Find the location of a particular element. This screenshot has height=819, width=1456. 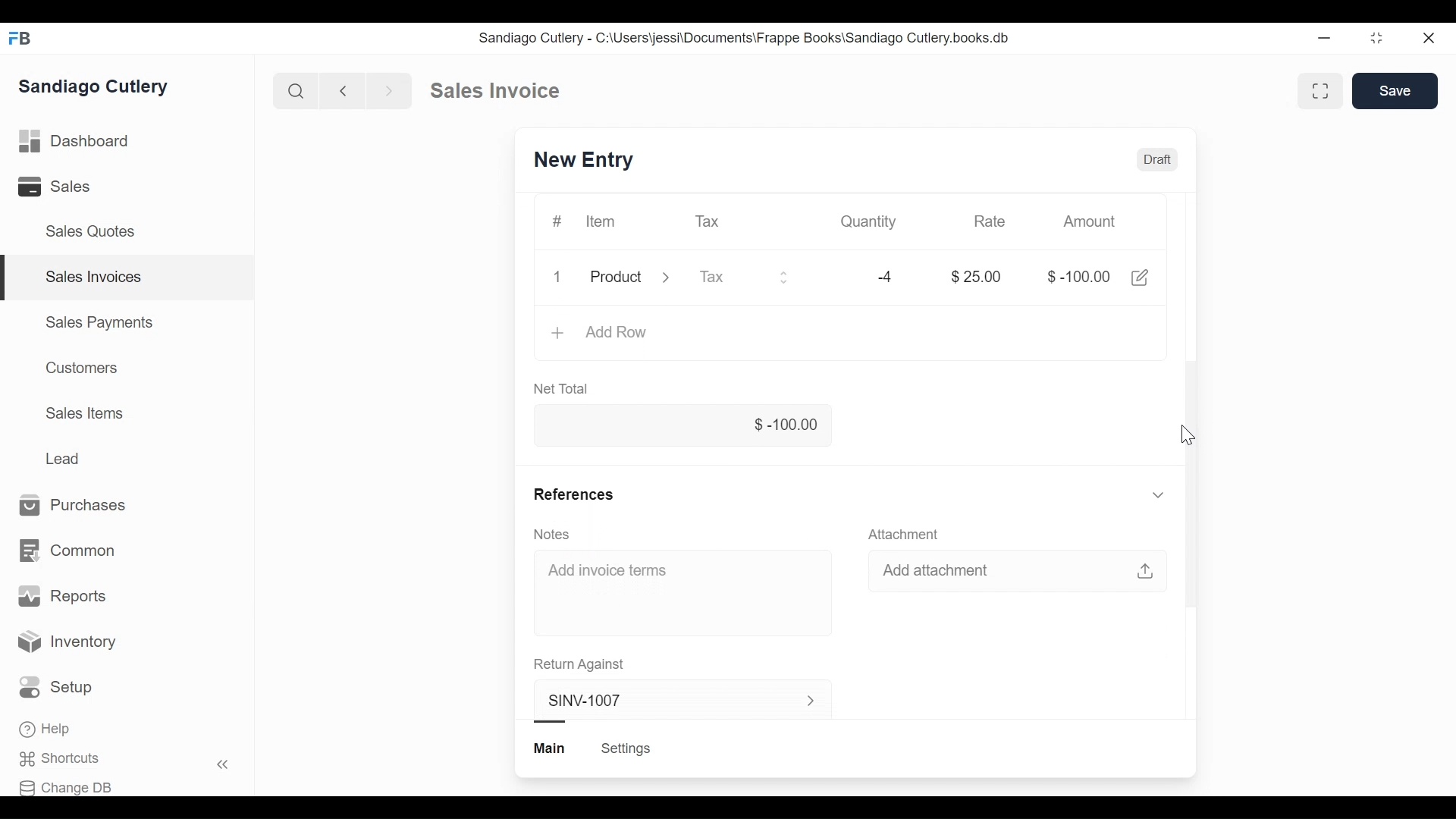

Vertical scrollbar is located at coordinates (1194, 482).